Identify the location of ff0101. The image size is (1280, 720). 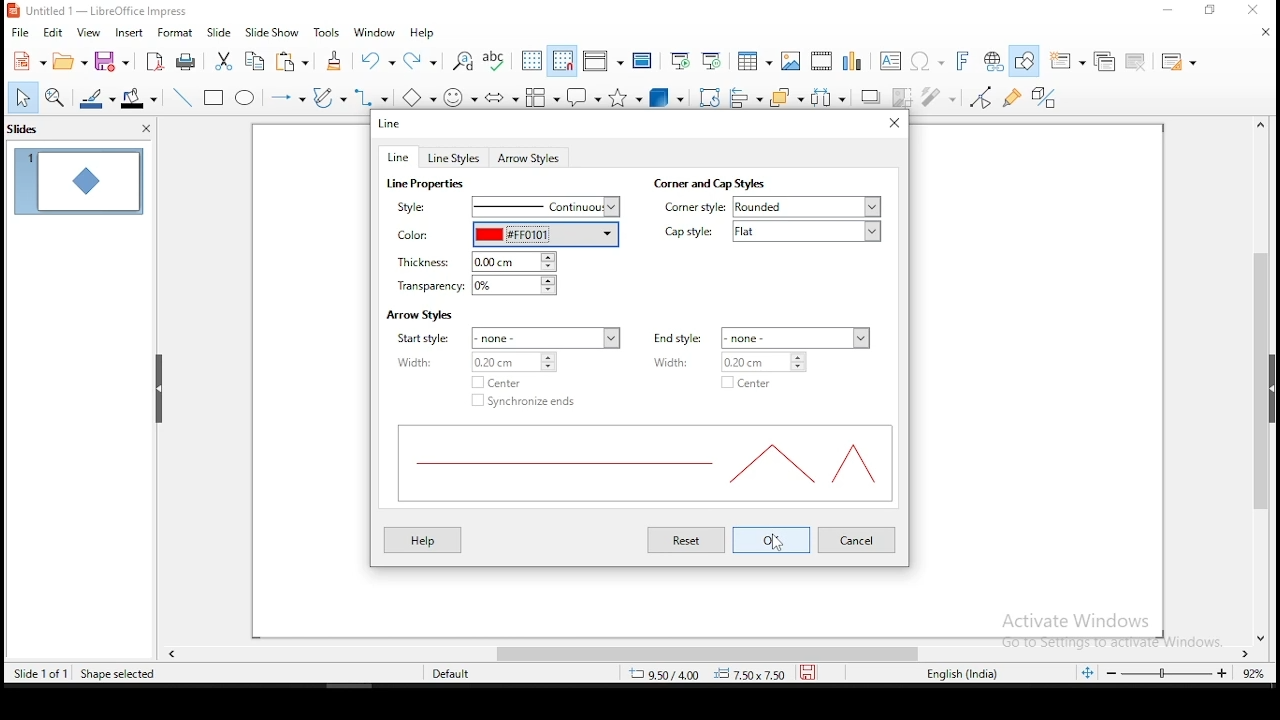
(545, 233).